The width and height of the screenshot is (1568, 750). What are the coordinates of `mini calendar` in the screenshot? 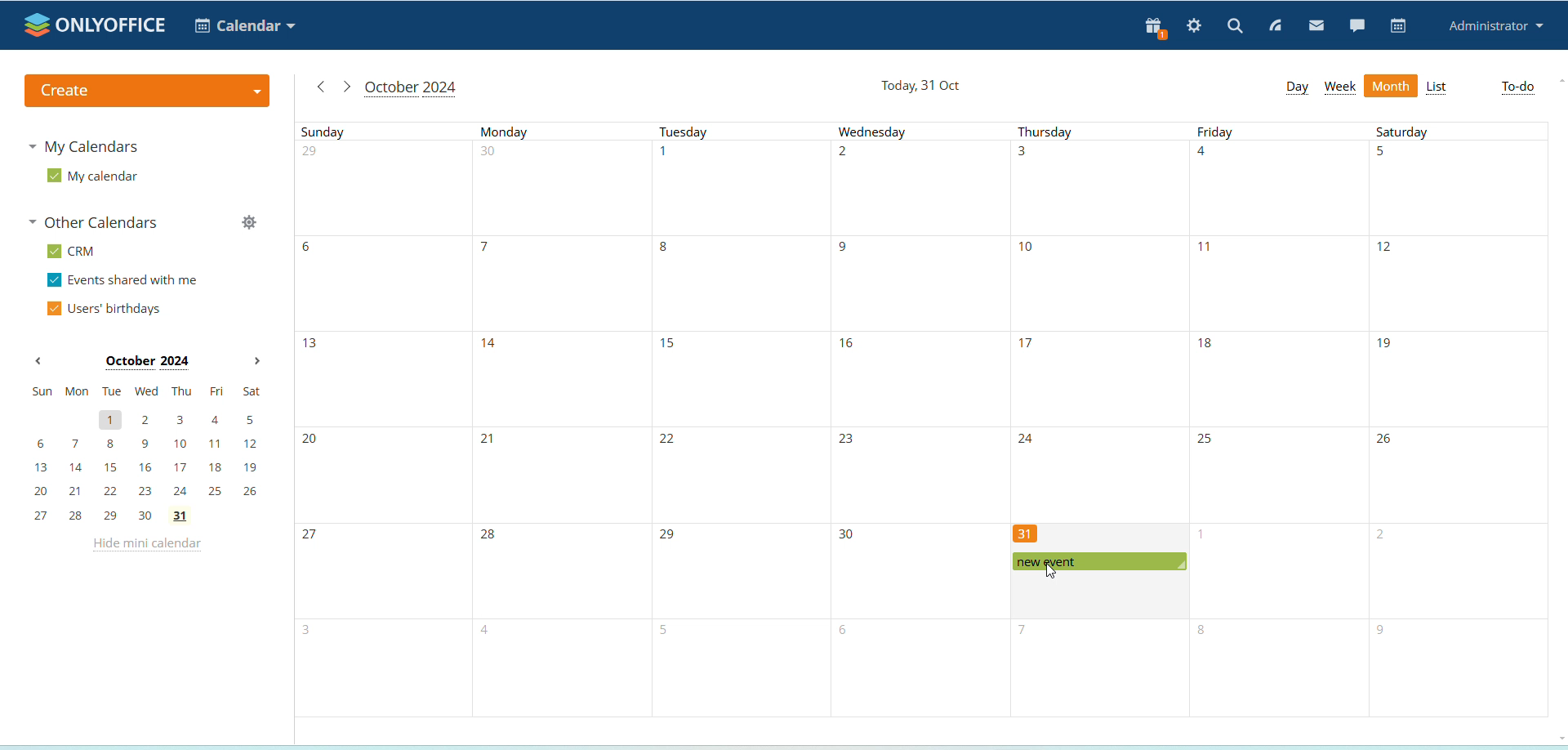 It's located at (147, 453).